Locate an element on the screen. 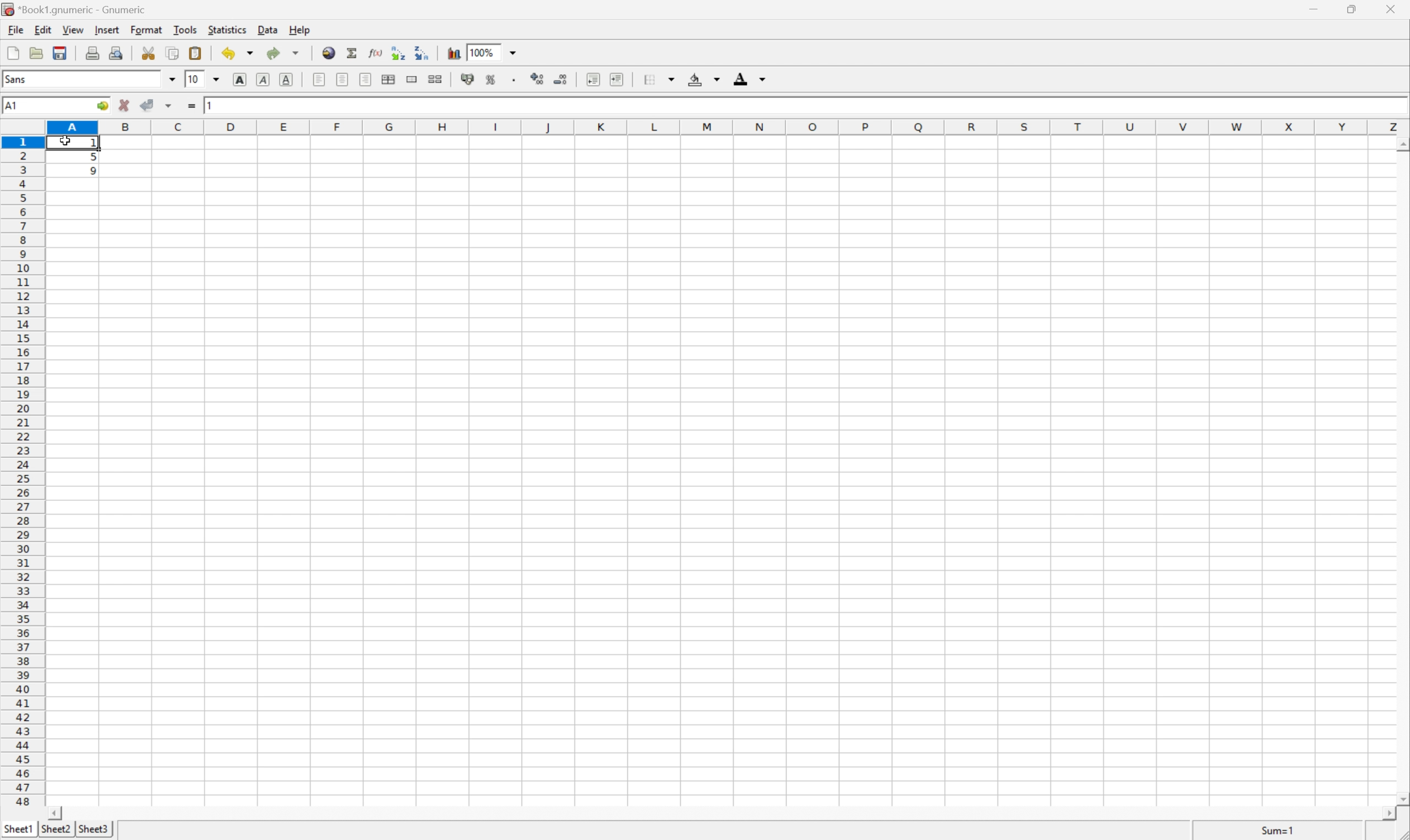  view is located at coordinates (74, 29).